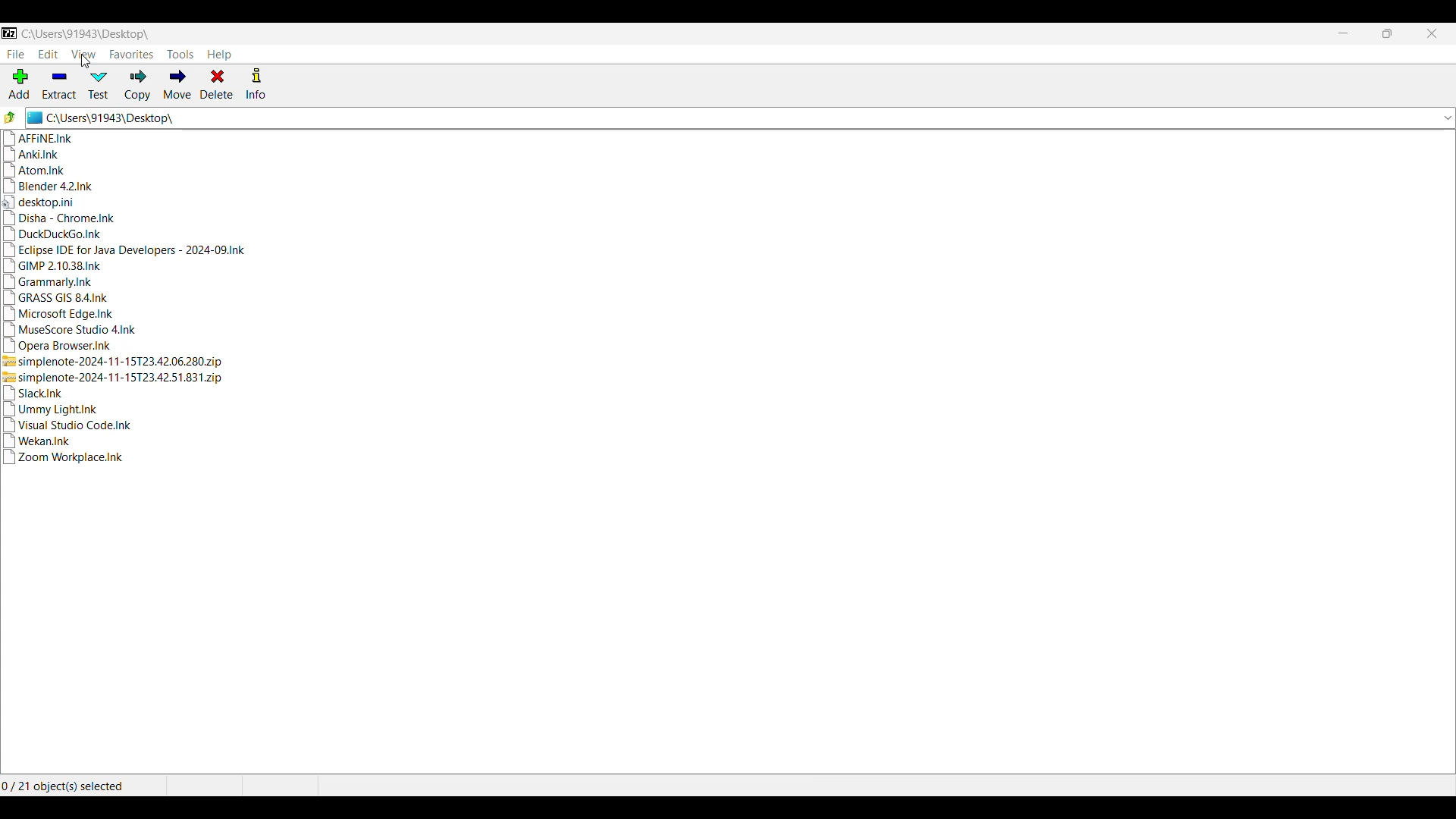 Image resolution: width=1456 pixels, height=819 pixels. Describe the element at coordinates (71, 329) in the screenshot. I see `MuseScore Studio 4.Ink` at that location.